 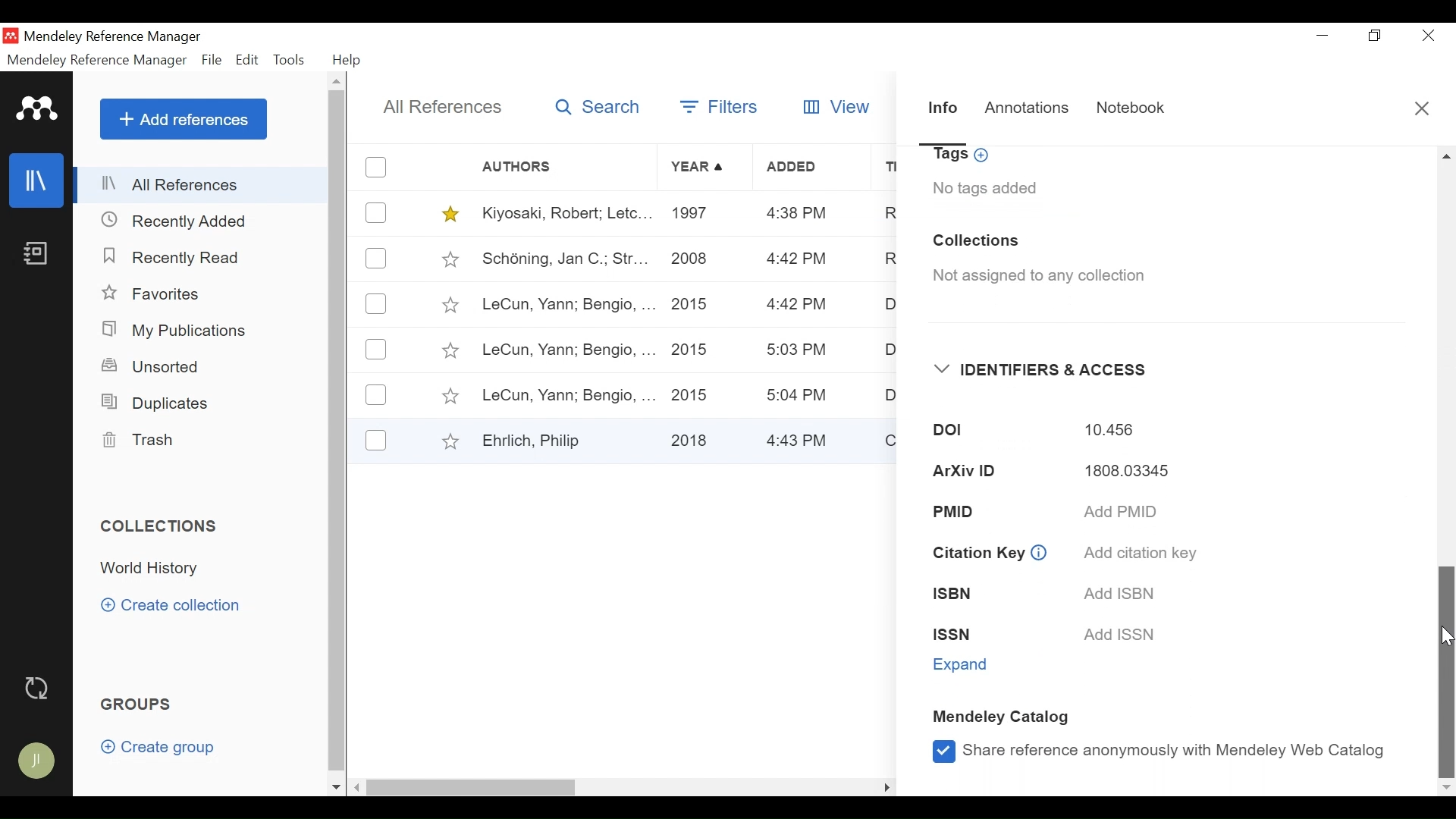 I want to click on Close, so click(x=1422, y=108).